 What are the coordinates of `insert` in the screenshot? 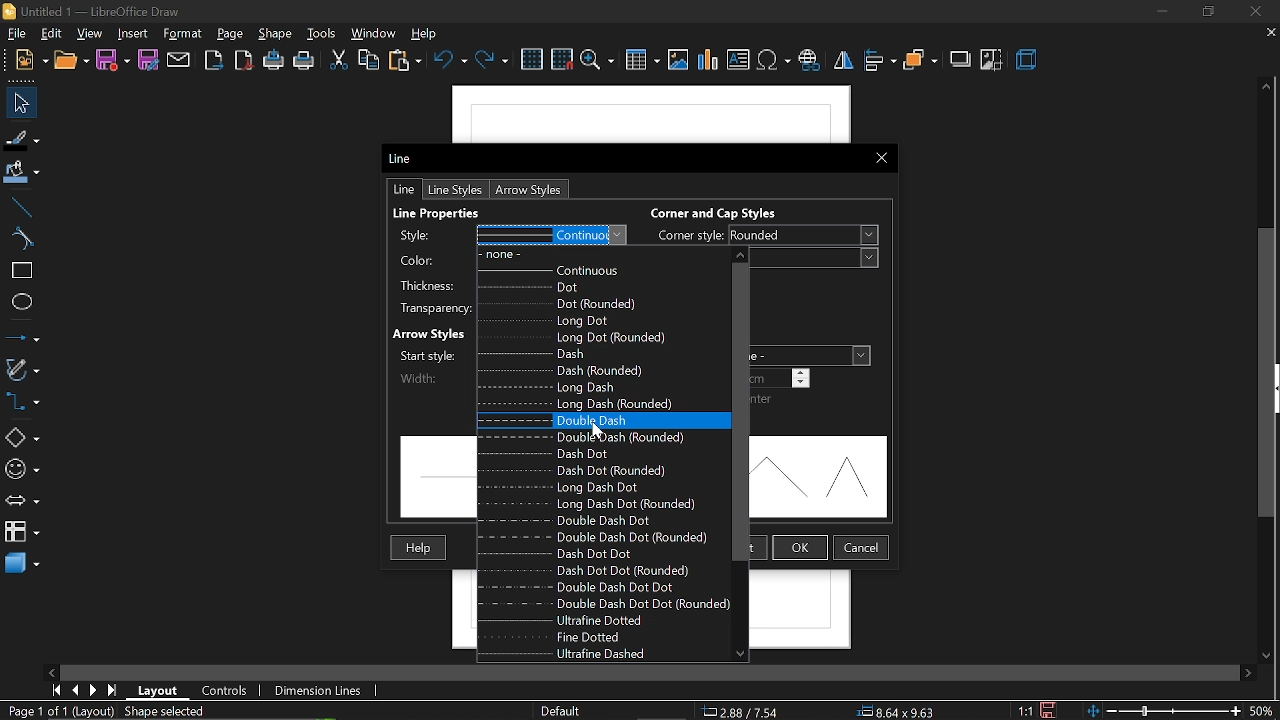 It's located at (131, 34).